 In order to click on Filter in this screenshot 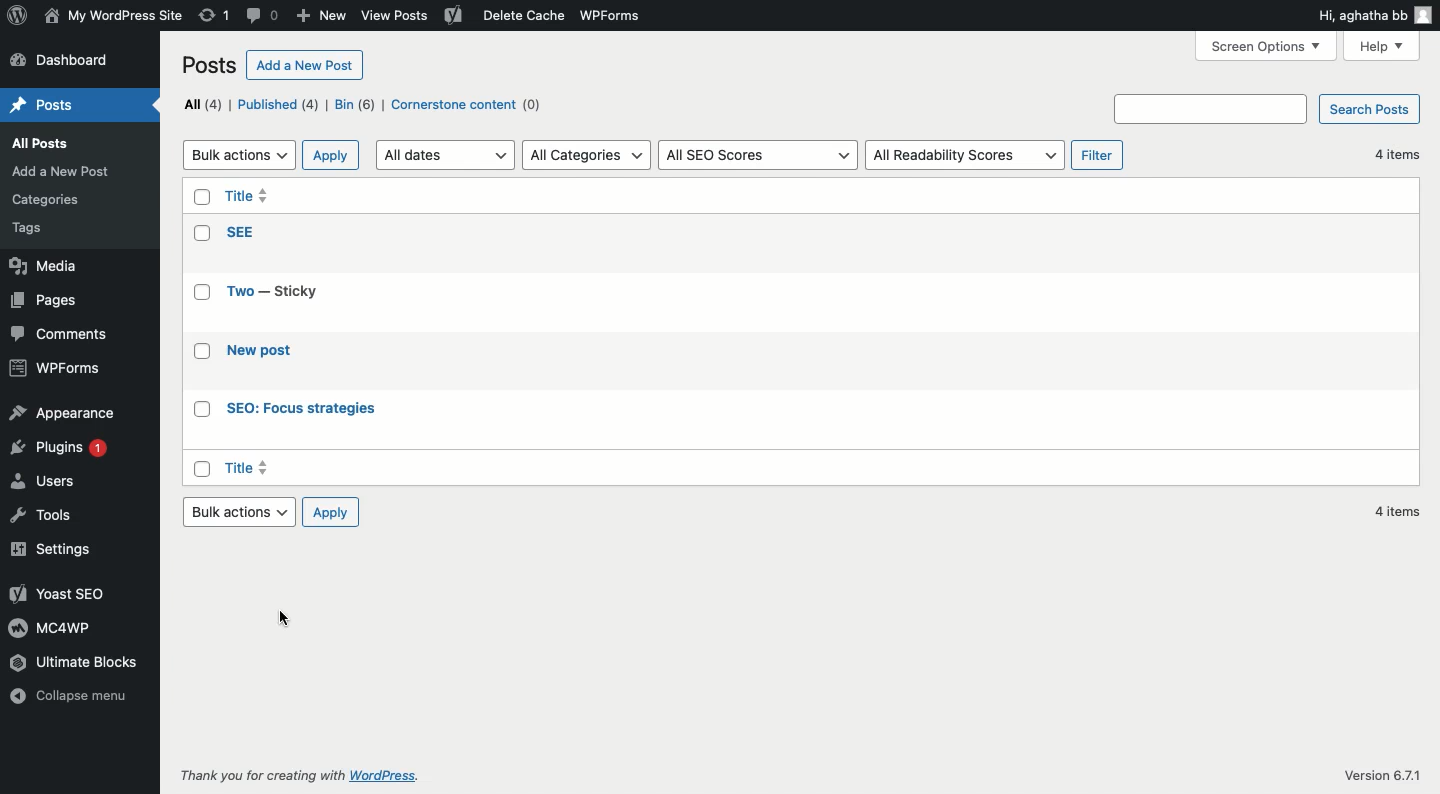, I will do `click(1097, 155)`.